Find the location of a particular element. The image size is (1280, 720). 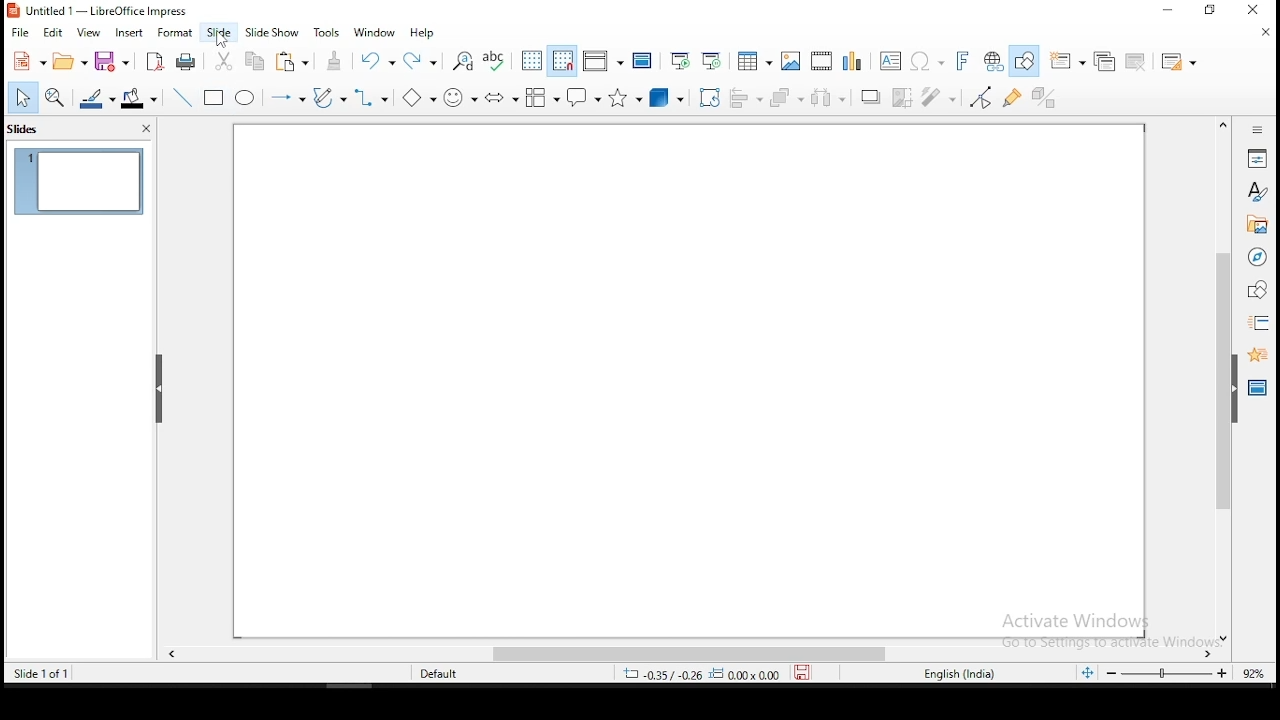

restore is located at coordinates (1206, 10).